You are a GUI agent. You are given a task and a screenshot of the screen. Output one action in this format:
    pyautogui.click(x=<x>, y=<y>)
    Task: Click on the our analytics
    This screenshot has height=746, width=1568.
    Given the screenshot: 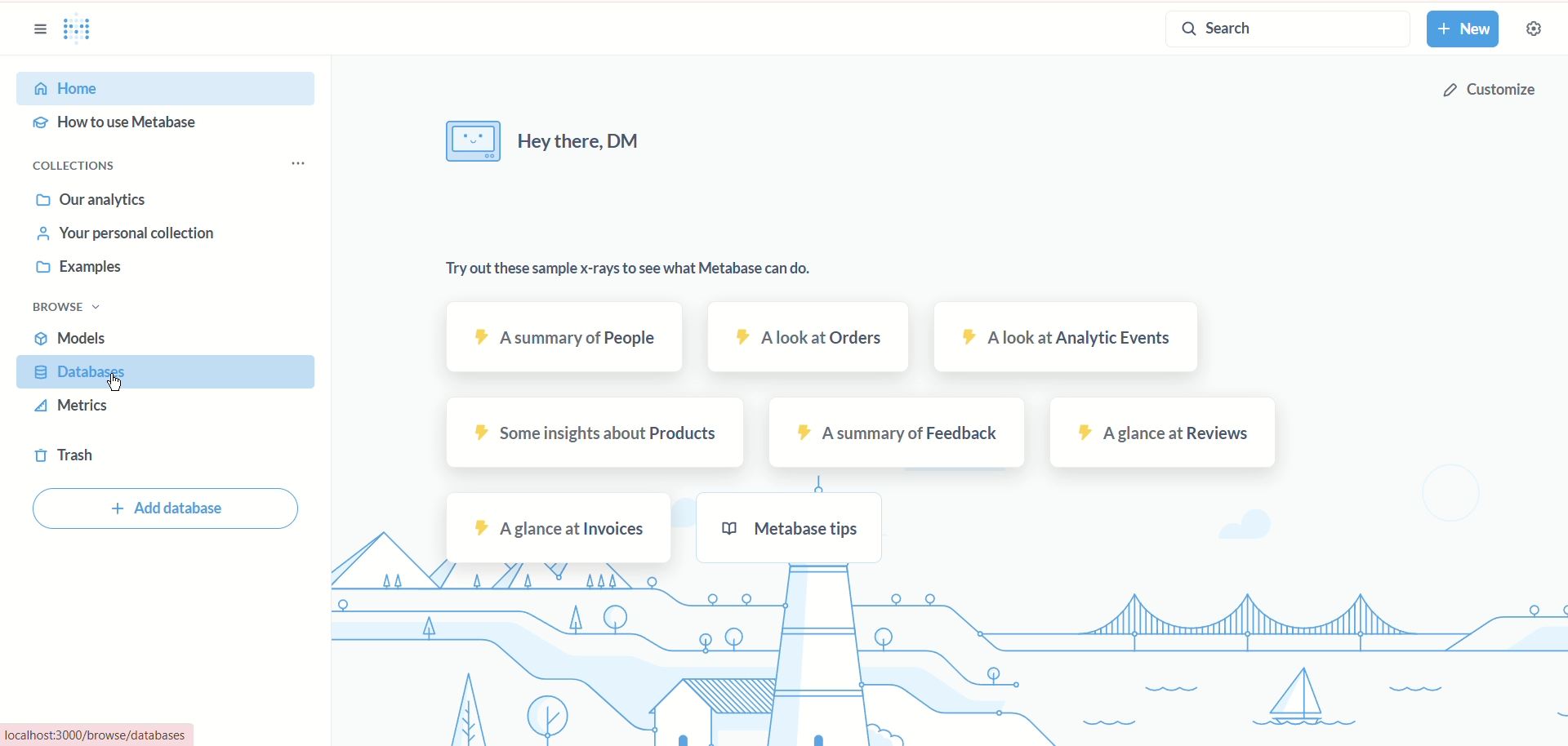 What is the action you would take?
    pyautogui.click(x=92, y=202)
    